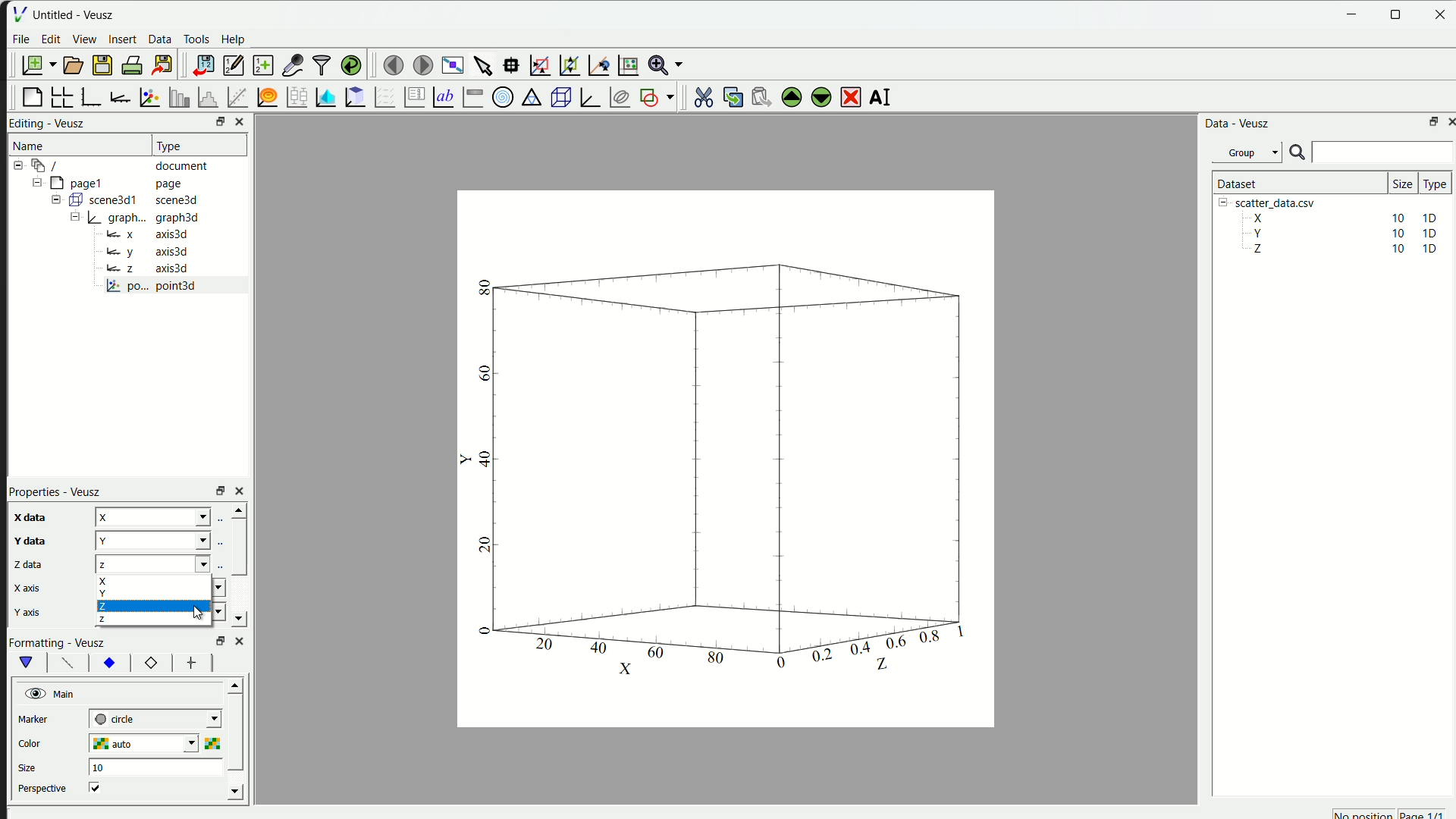  Describe the element at coordinates (820, 99) in the screenshot. I see `move down the selected widget` at that location.